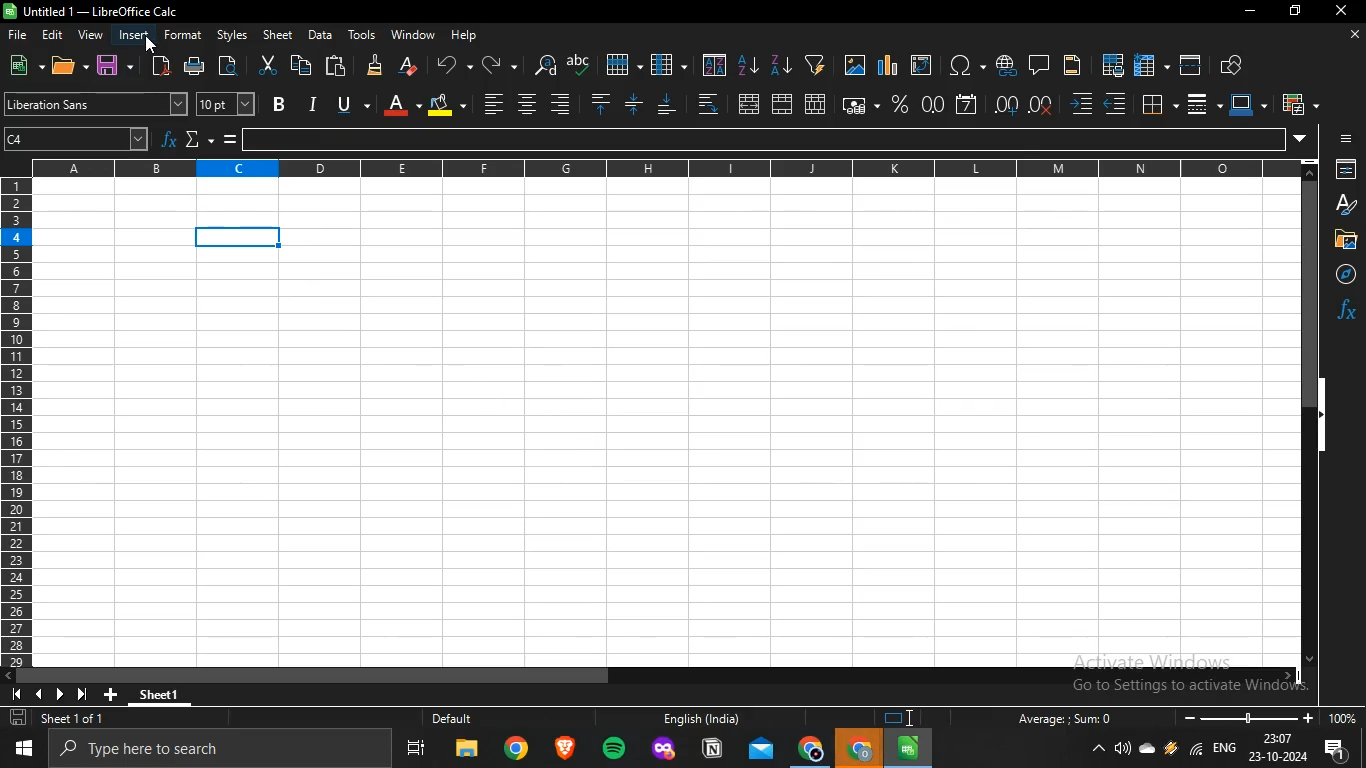 This screenshot has width=1366, height=768. What do you see at coordinates (15, 426) in the screenshot?
I see `row` at bounding box center [15, 426].